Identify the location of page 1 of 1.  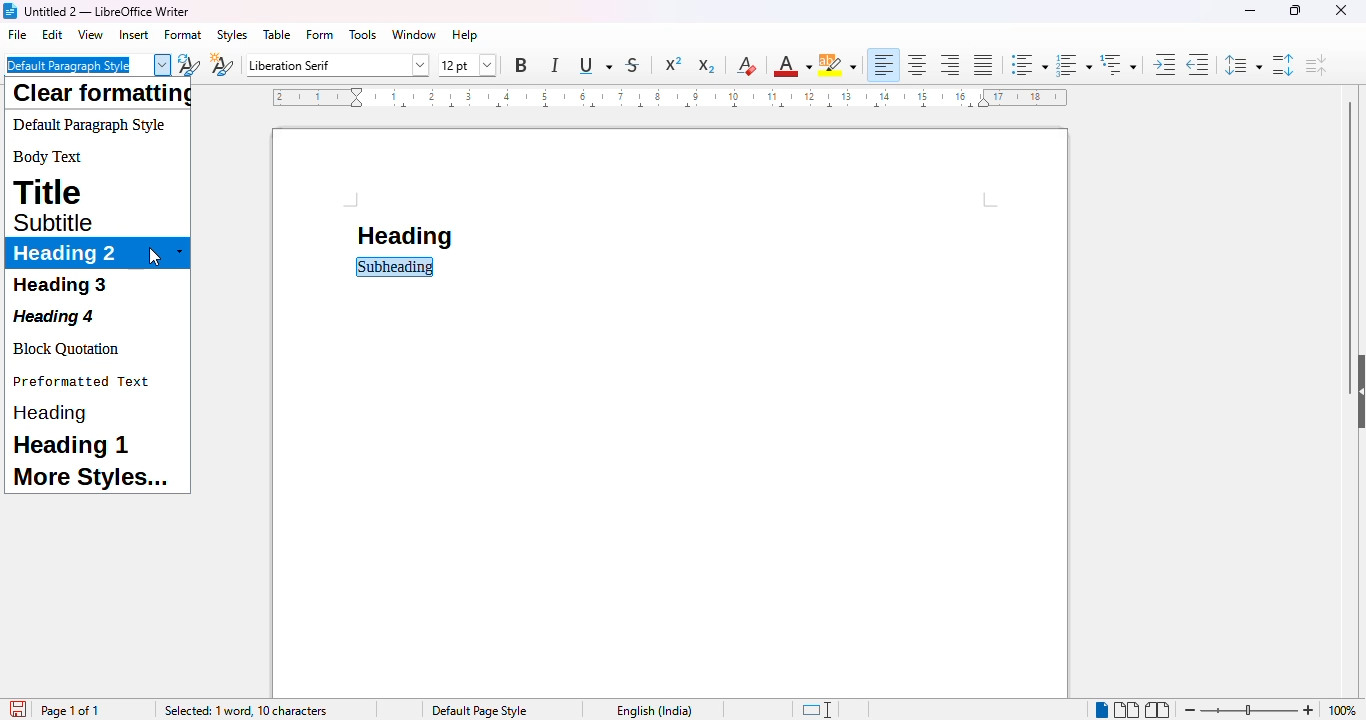
(70, 710).